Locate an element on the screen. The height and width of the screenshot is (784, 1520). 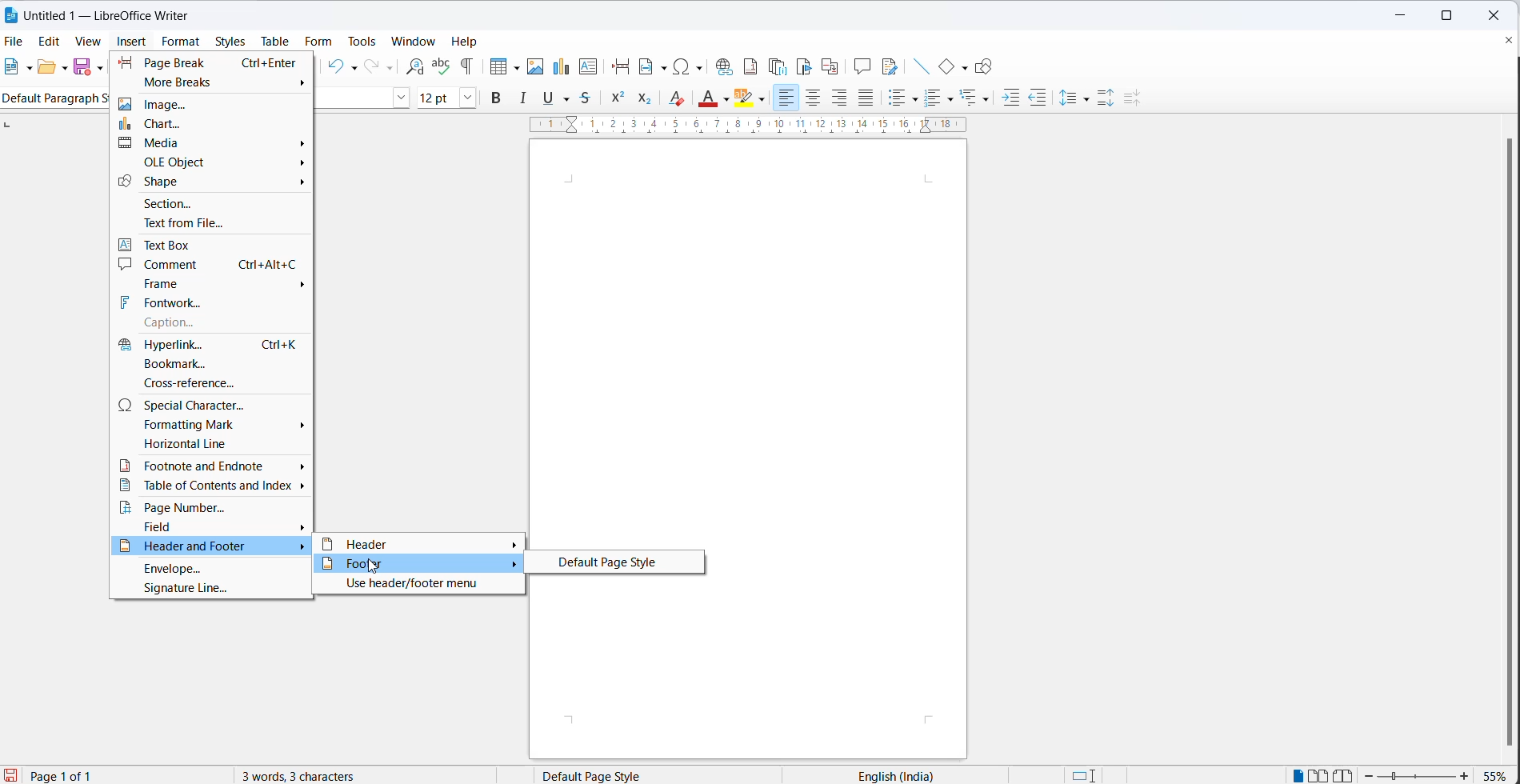
format is located at coordinates (180, 41).